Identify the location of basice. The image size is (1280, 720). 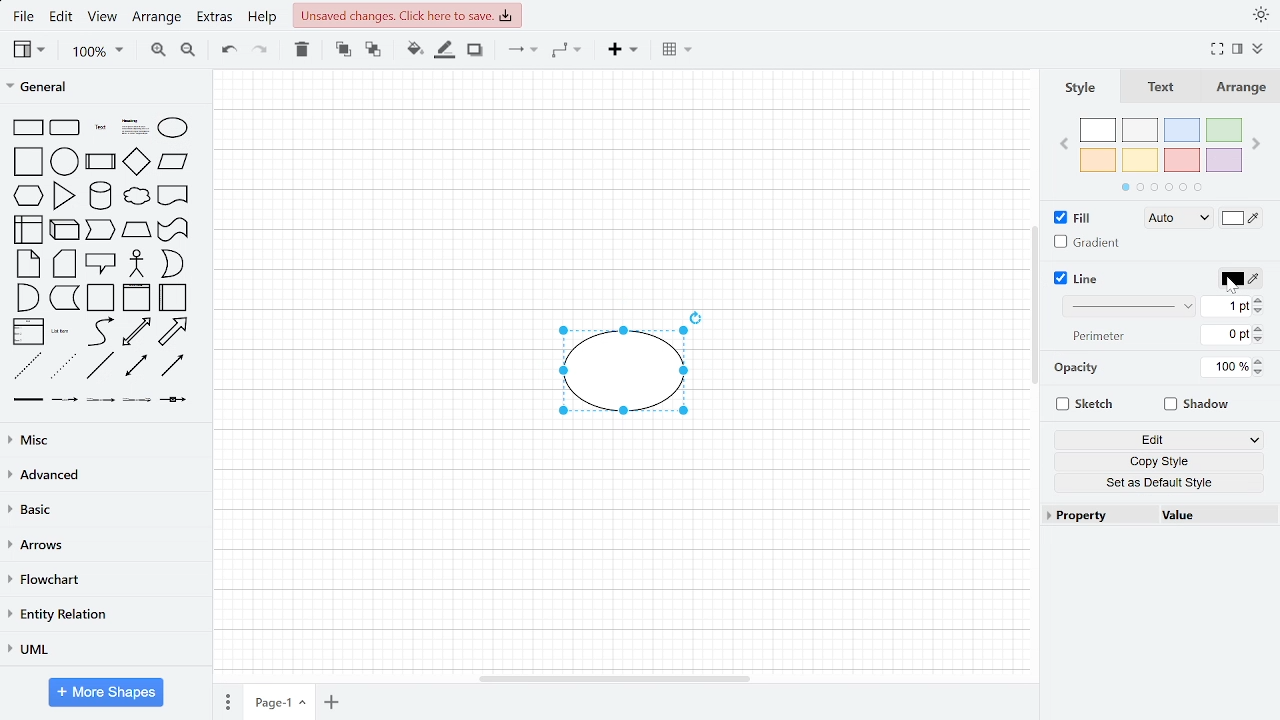
(102, 512).